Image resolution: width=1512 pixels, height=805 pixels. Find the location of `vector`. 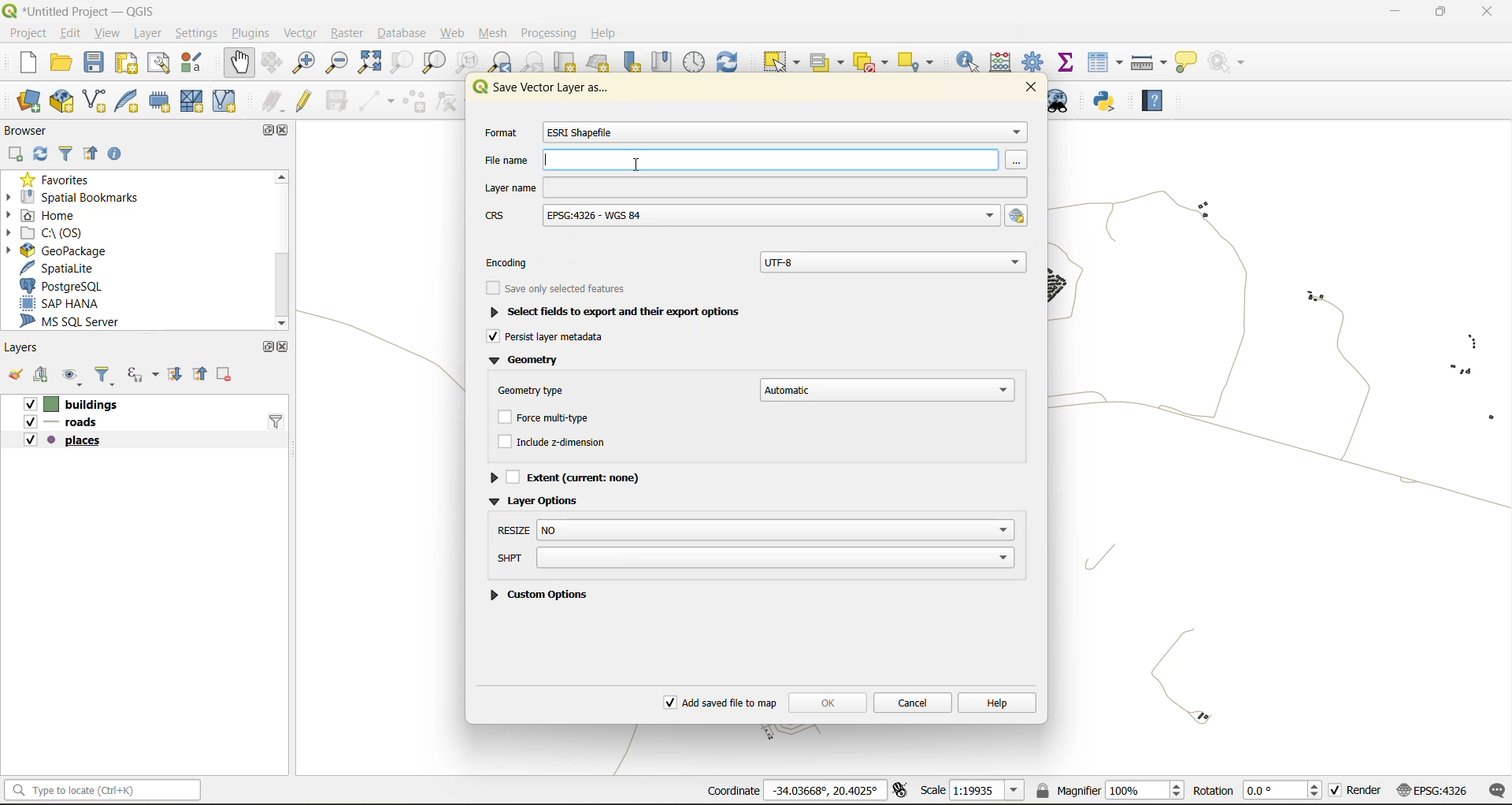

vector is located at coordinates (303, 33).